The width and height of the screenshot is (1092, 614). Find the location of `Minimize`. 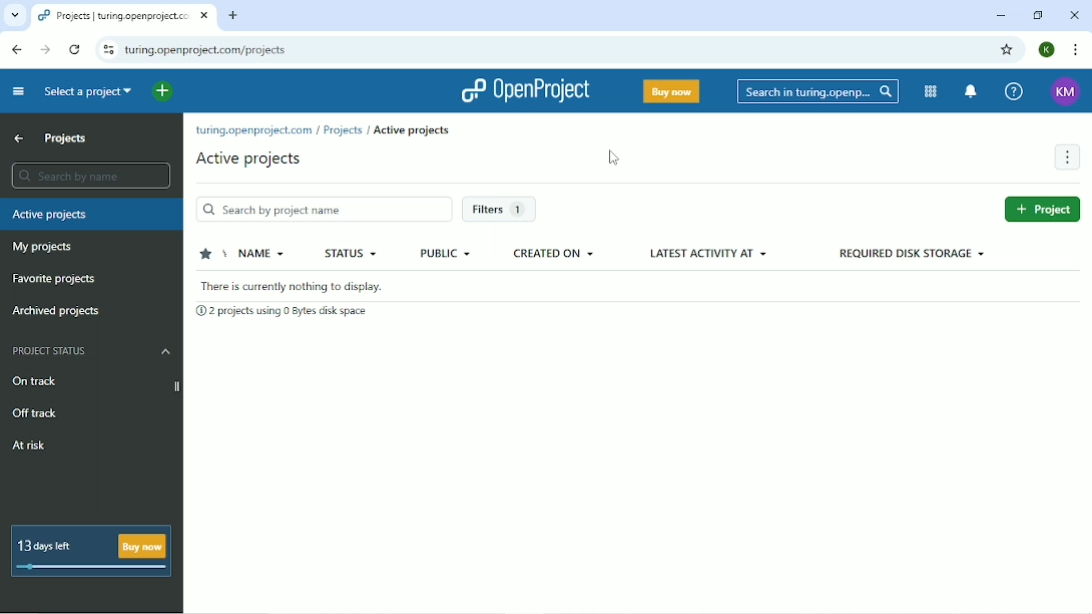

Minimize is located at coordinates (1001, 16).